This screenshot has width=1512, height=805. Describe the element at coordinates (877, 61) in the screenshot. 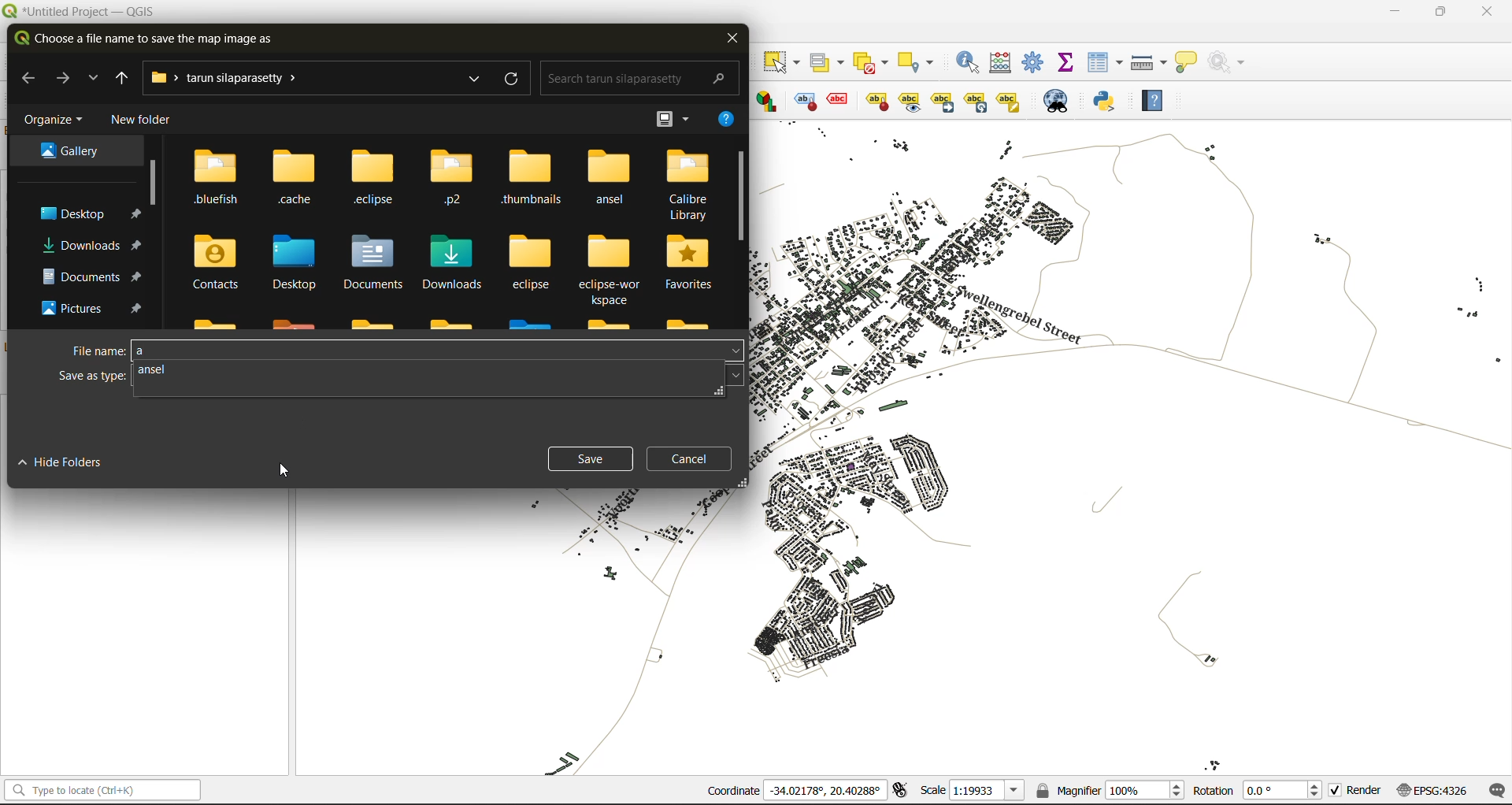

I see `deselect value` at that location.